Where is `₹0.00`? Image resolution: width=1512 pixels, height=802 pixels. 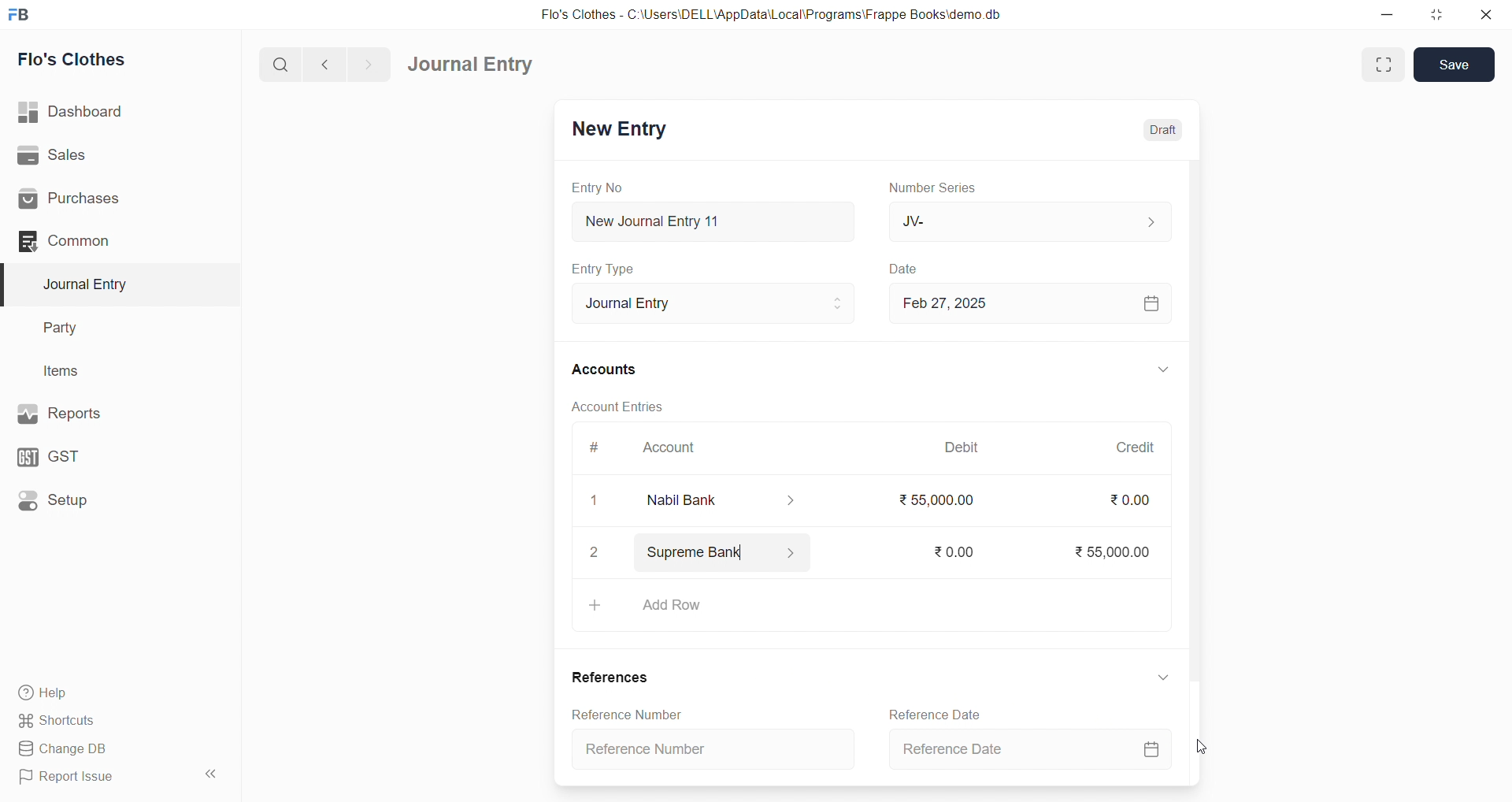 ₹0.00 is located at coordinates (951, 552).